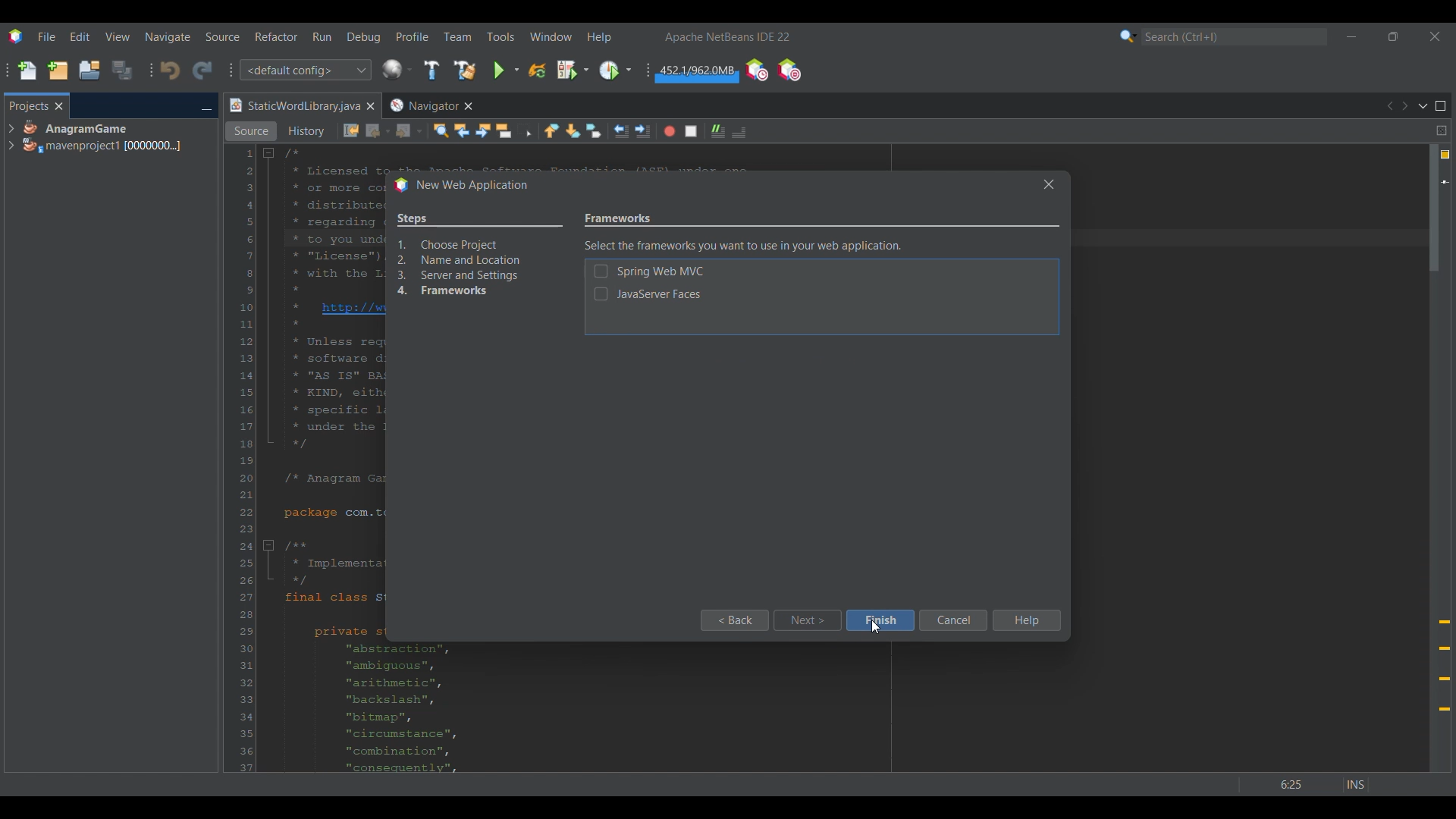 Image resolution: width=1456 pixels, height=819 pixels. I want to click on , so click(874, 626).